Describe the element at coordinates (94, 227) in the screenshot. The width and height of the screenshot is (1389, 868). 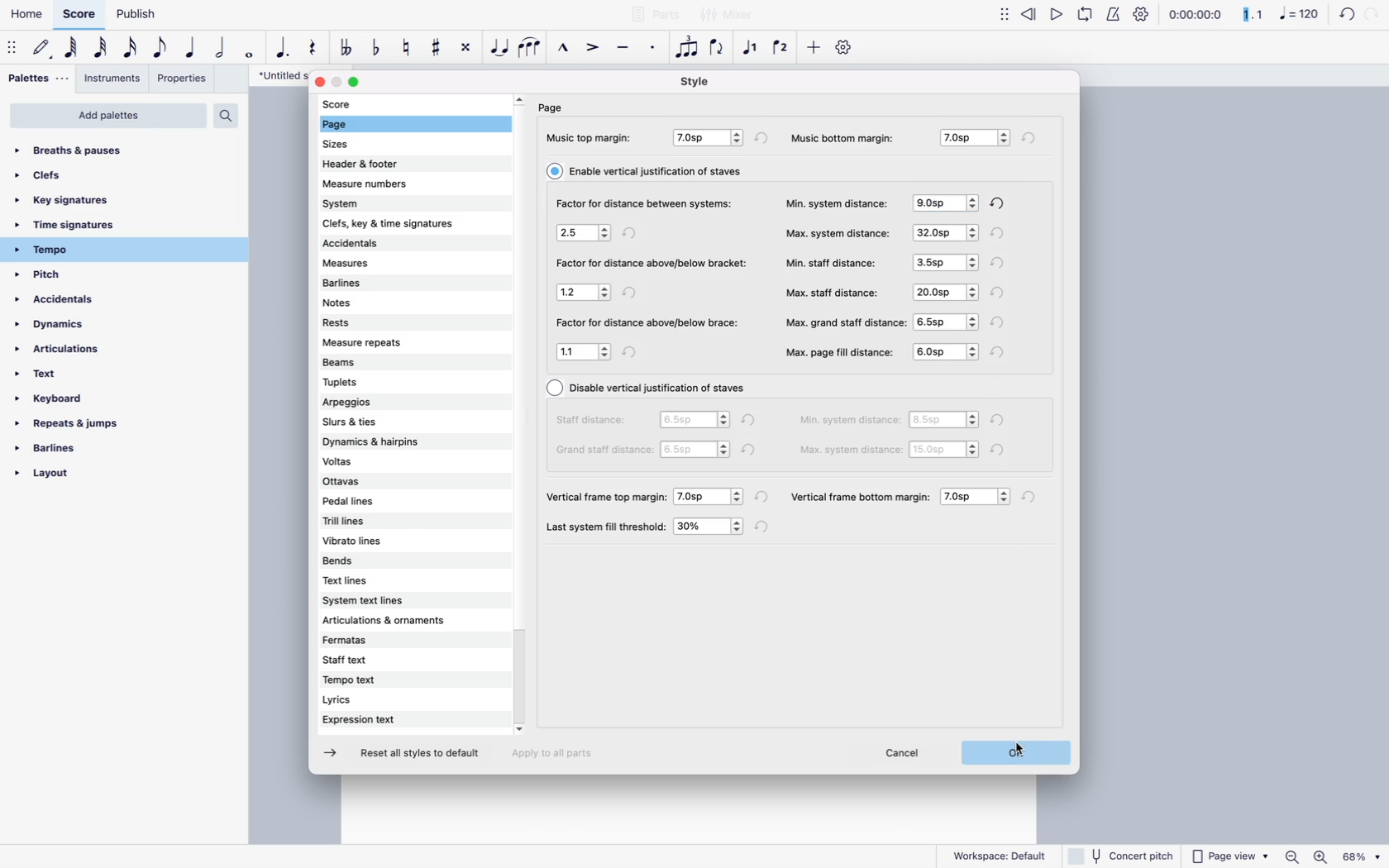
I see `time signatures` at that location.